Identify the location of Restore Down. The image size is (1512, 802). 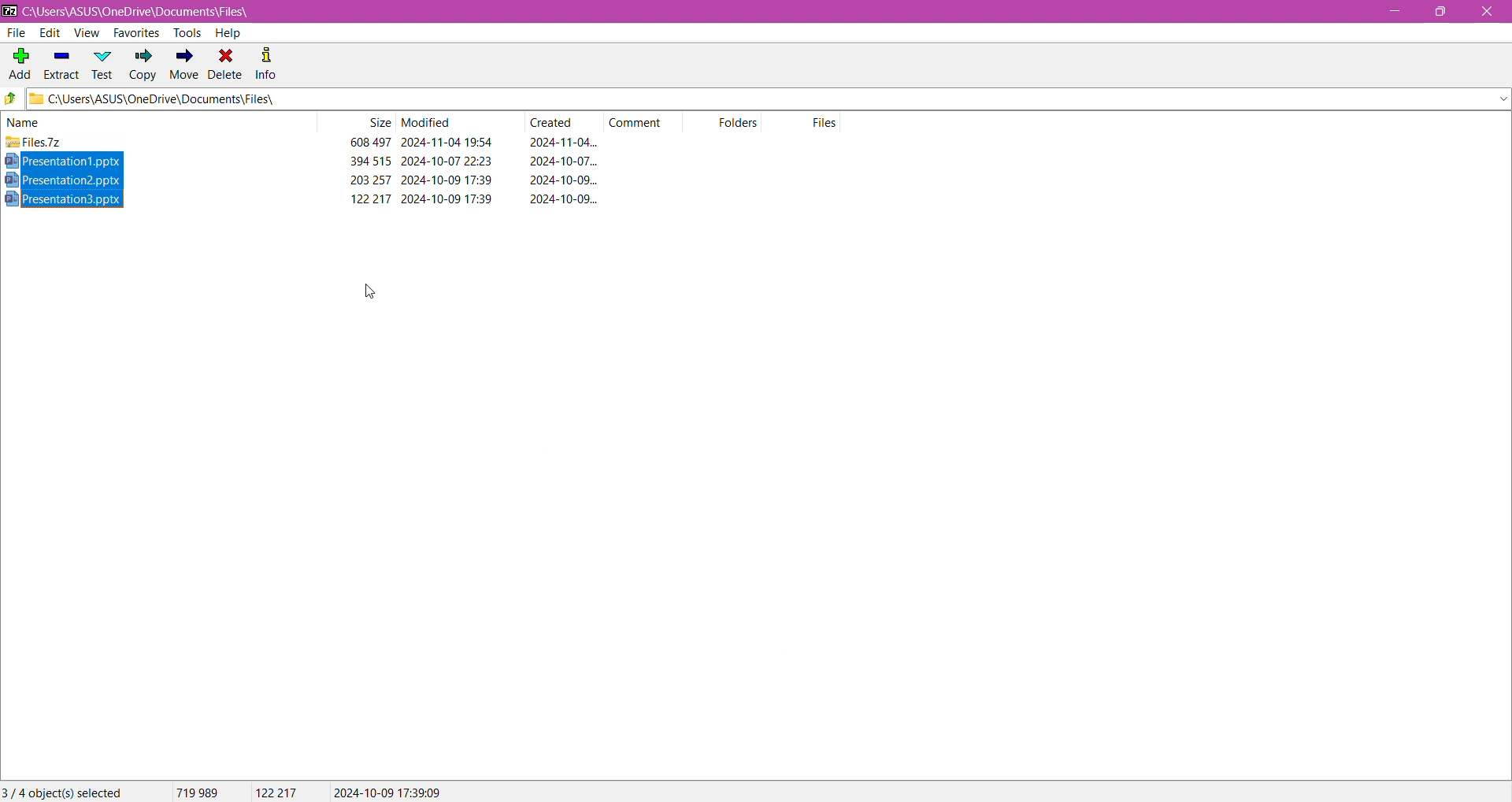
(1446, 11).